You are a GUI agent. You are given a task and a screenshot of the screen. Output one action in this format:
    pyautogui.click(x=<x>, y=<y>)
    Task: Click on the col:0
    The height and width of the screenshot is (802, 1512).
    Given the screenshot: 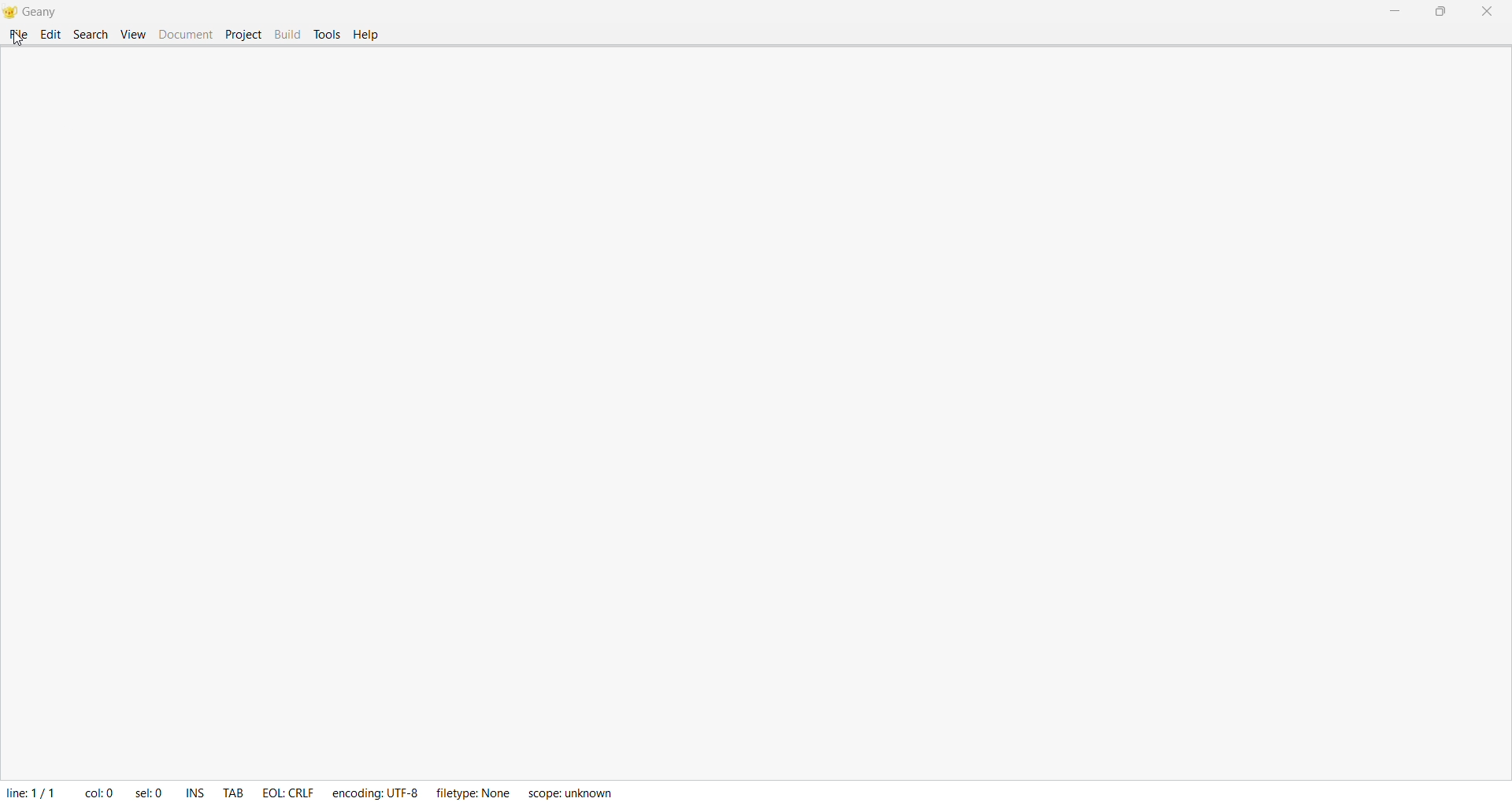 What is the action you would take?
    pyautogui.click(x=94, y=793)
    